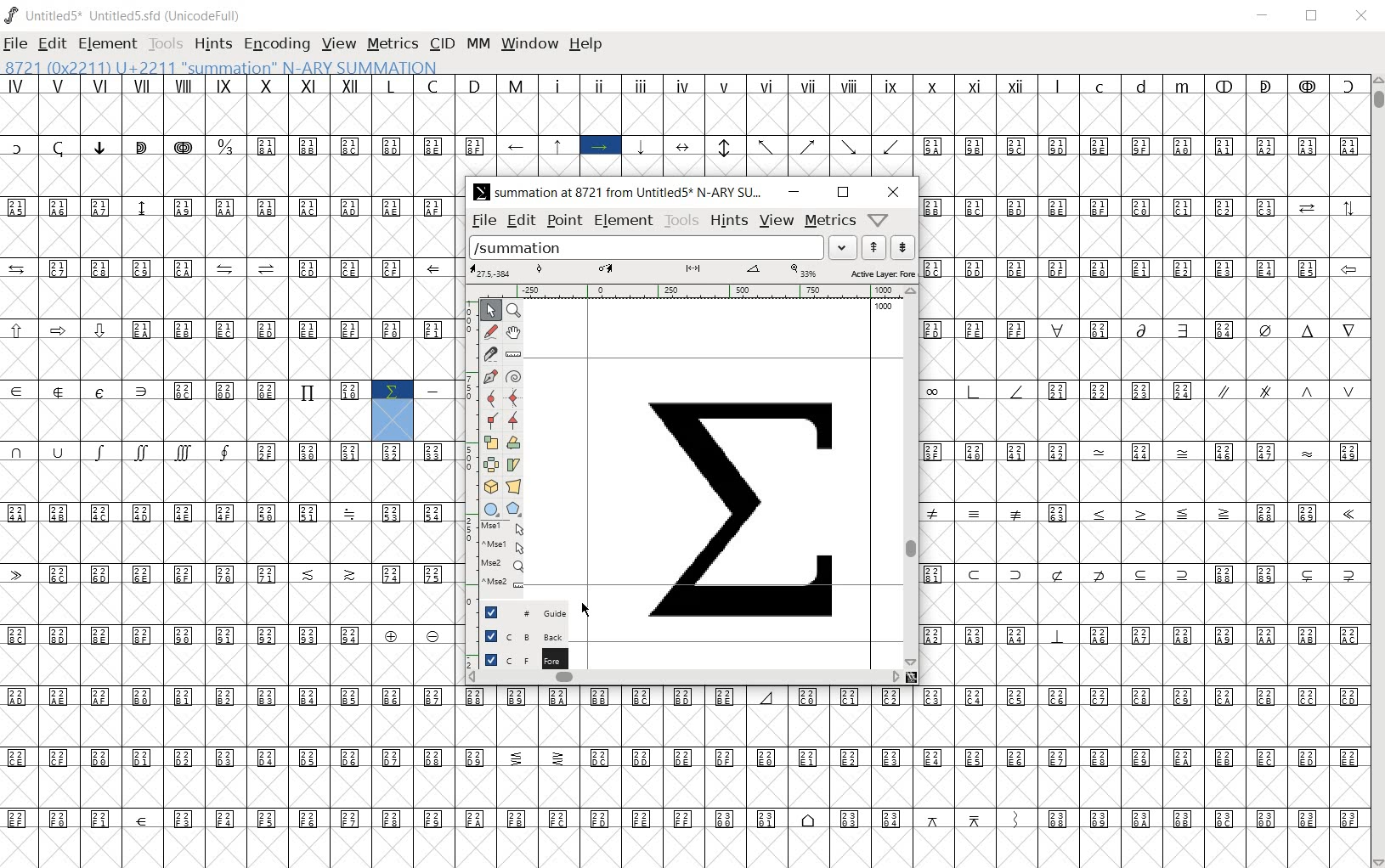 The image size is (1385, 868). I want to click on WINDOW, so click(529, 44).